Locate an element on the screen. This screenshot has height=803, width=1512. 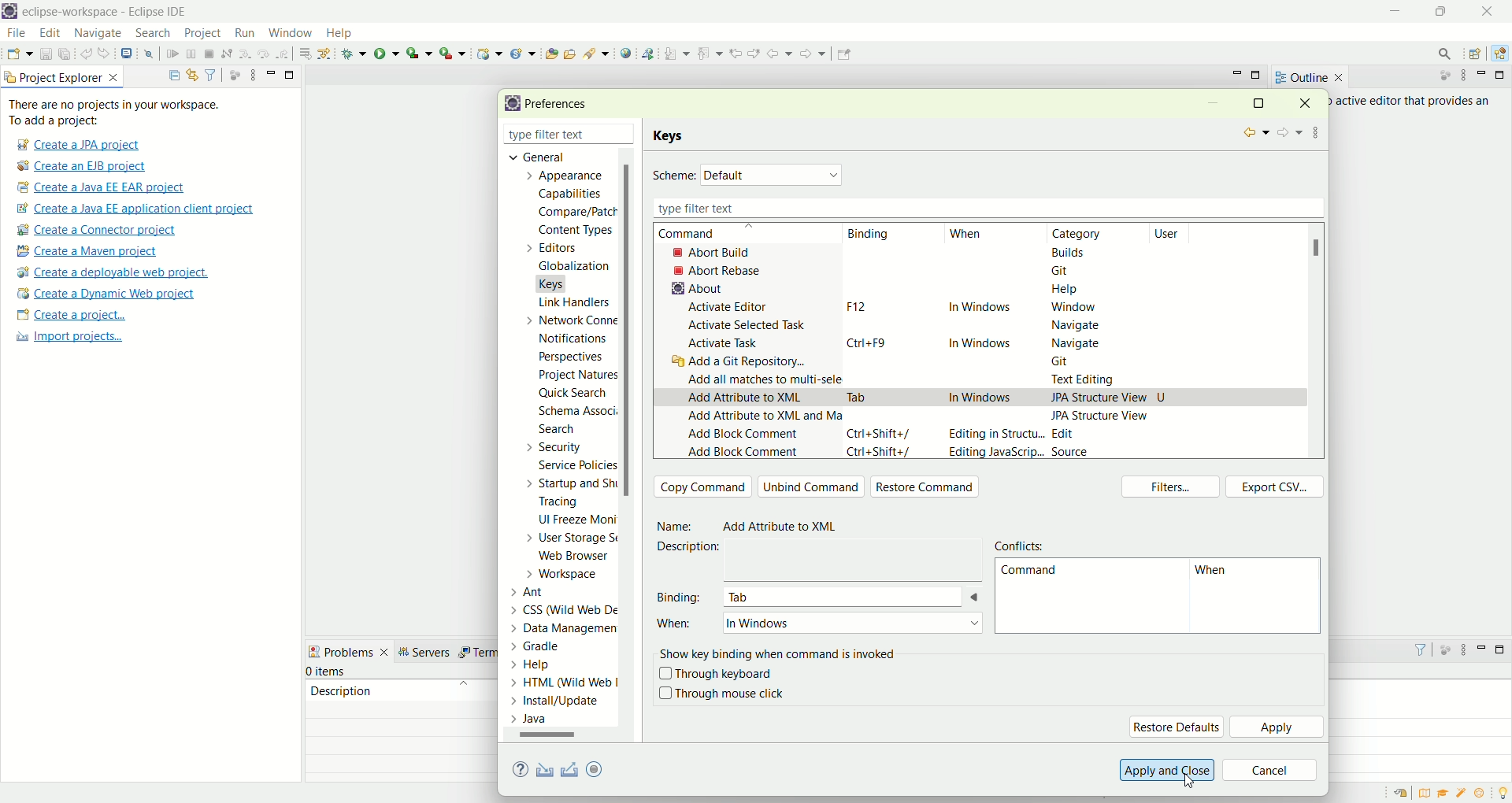
next edit location is located at coordinates (756, 52).